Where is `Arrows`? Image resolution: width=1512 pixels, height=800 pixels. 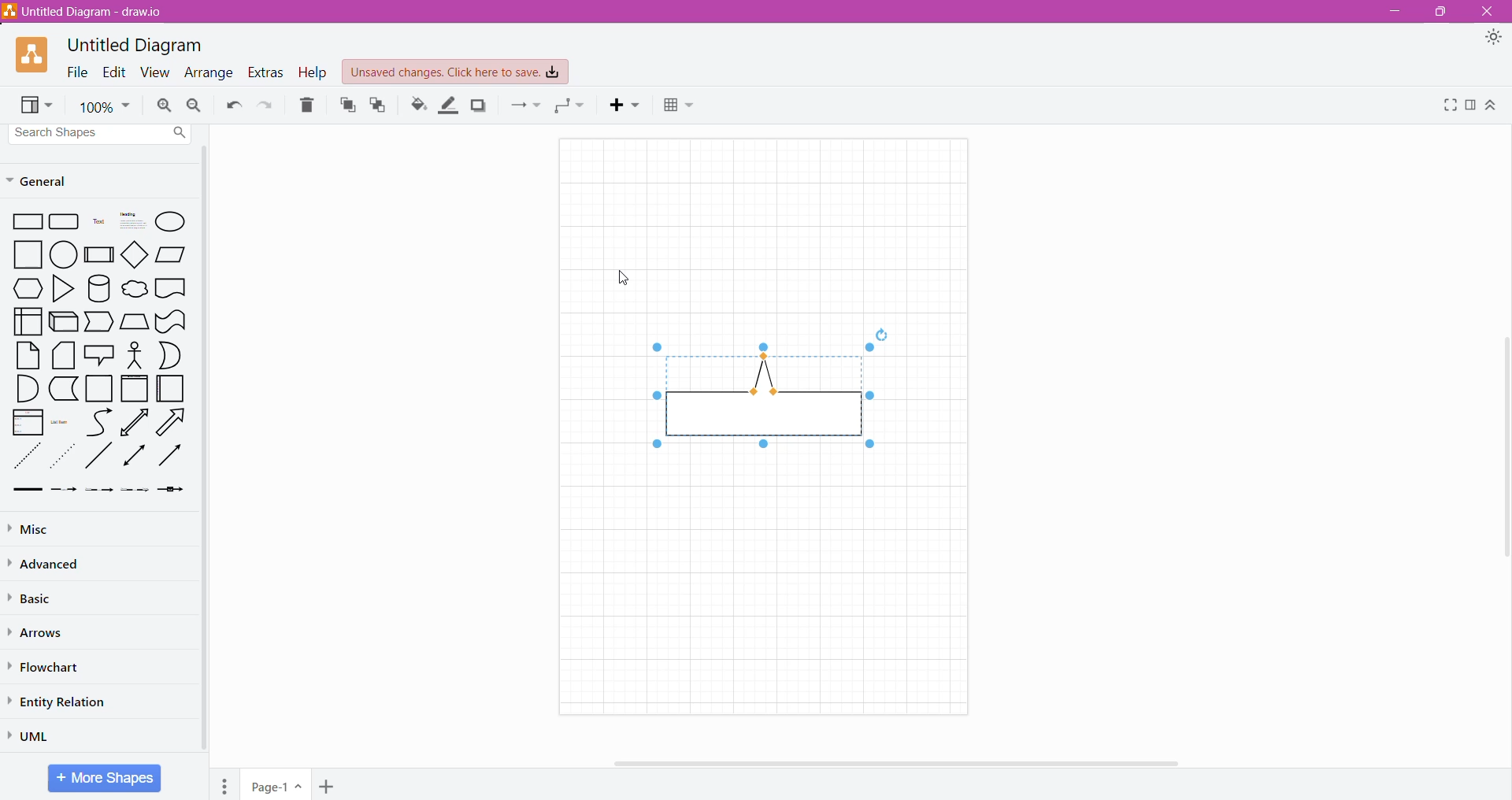
Arrows is located at coordinates (39, 632).